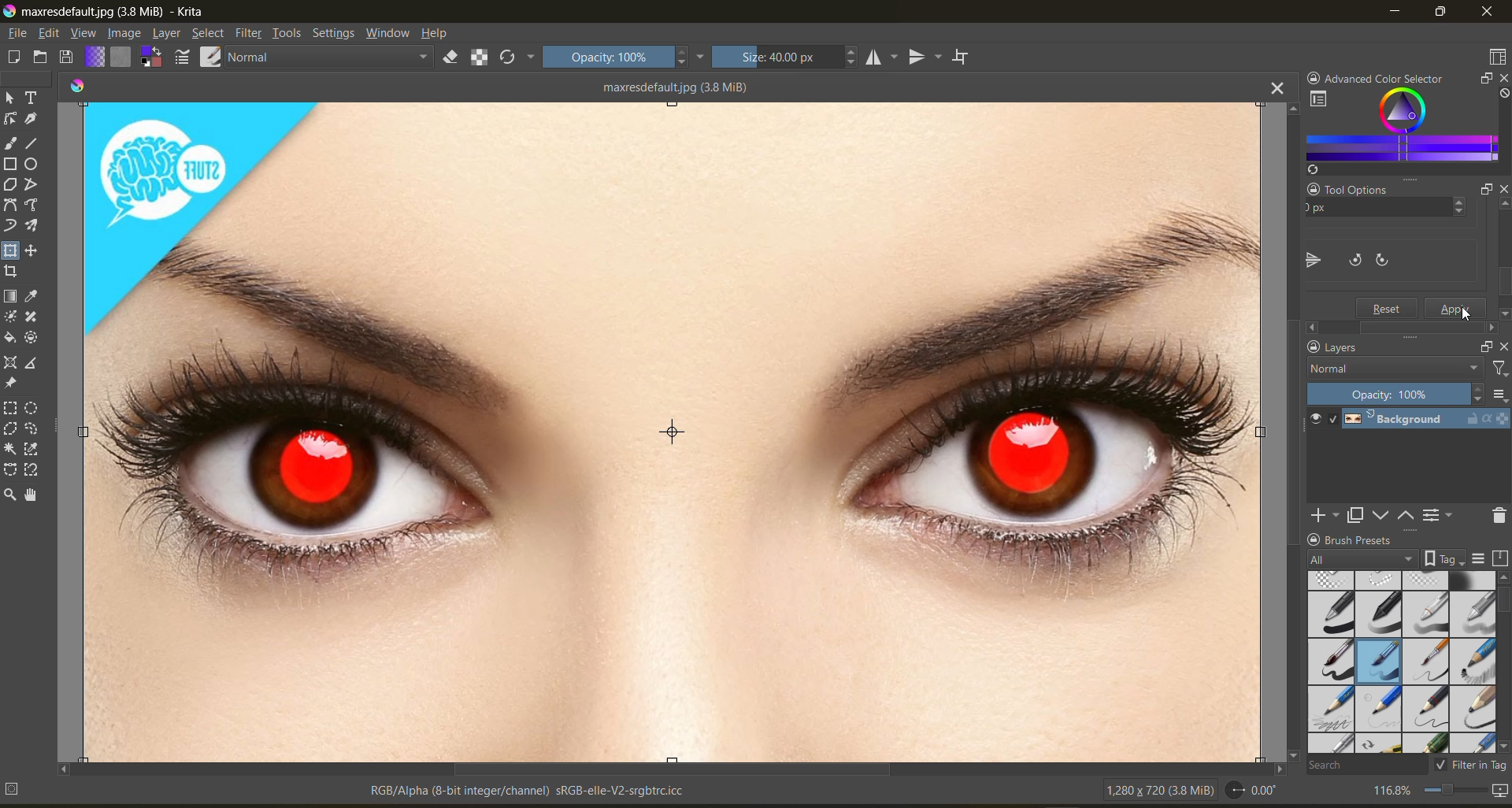  What do you see at coordinates (33, 143) in the screenshot?
I see `tool` at bounding box center [33, 143].